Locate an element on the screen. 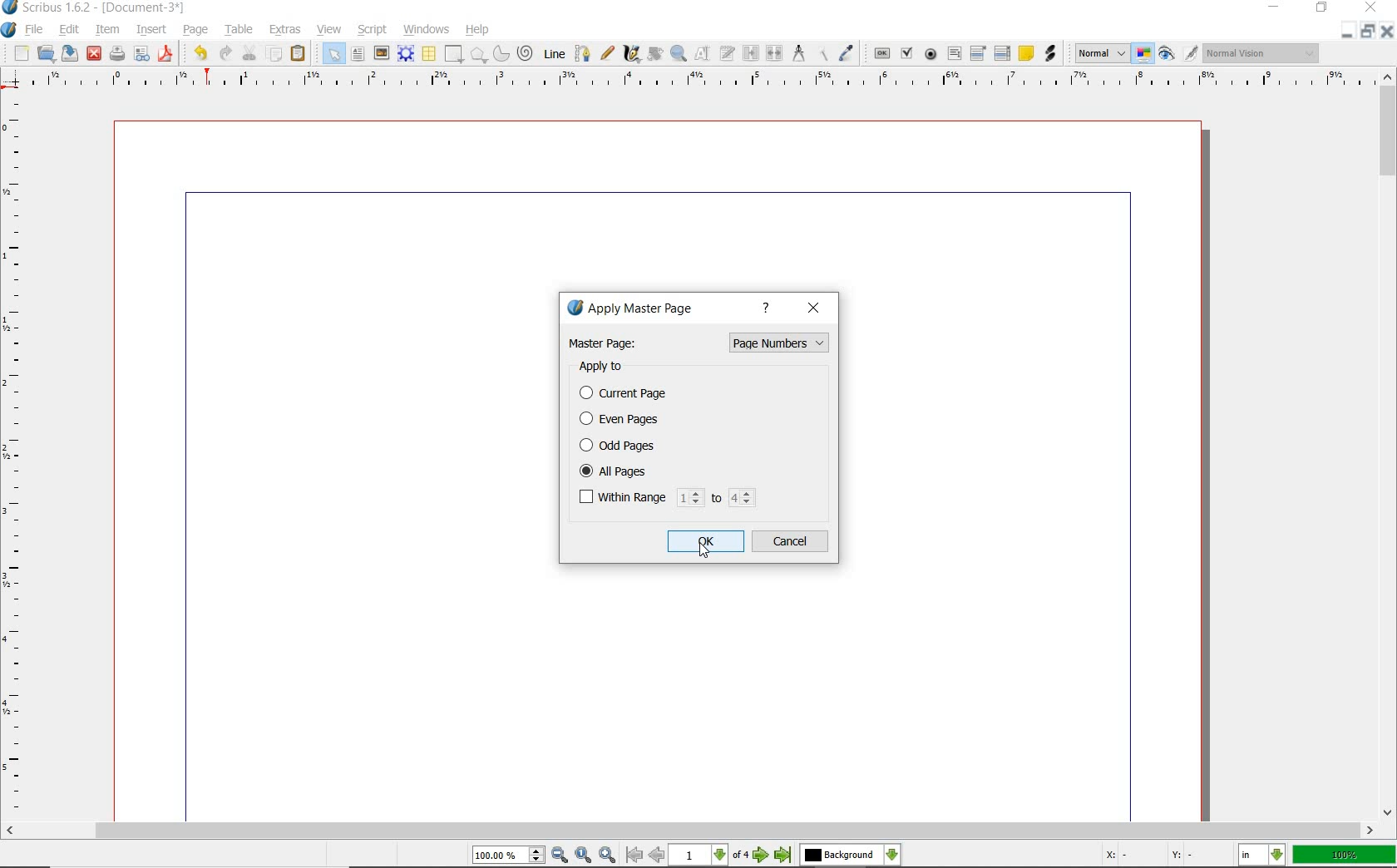 Image resolution: width=1397 pixels, height=868 pixels. select the current unit: in is located at coordinates (1261, 855).